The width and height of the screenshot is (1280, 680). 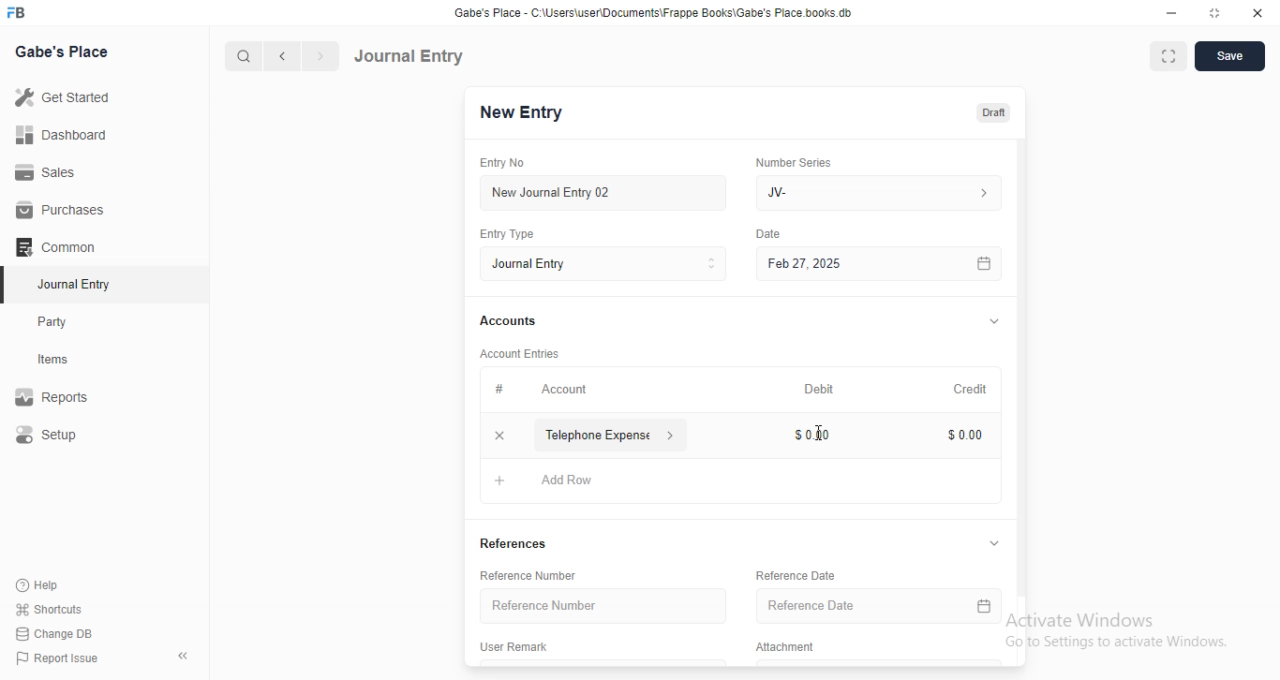 I want to click on Items, so click(x=55, y=360).